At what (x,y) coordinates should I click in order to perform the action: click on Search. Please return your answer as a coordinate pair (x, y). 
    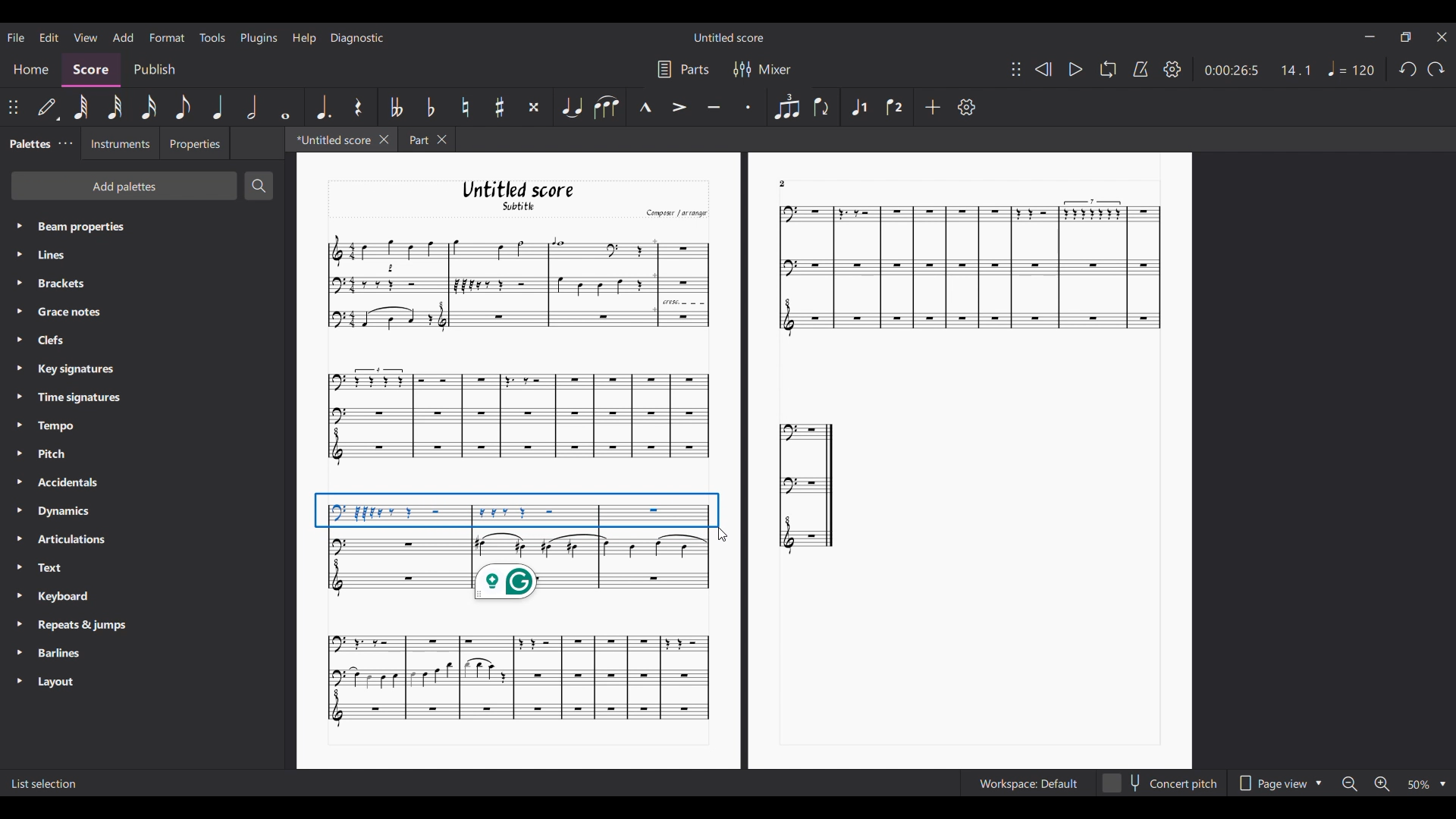
    Looking at the image, I should click on (259, 186).